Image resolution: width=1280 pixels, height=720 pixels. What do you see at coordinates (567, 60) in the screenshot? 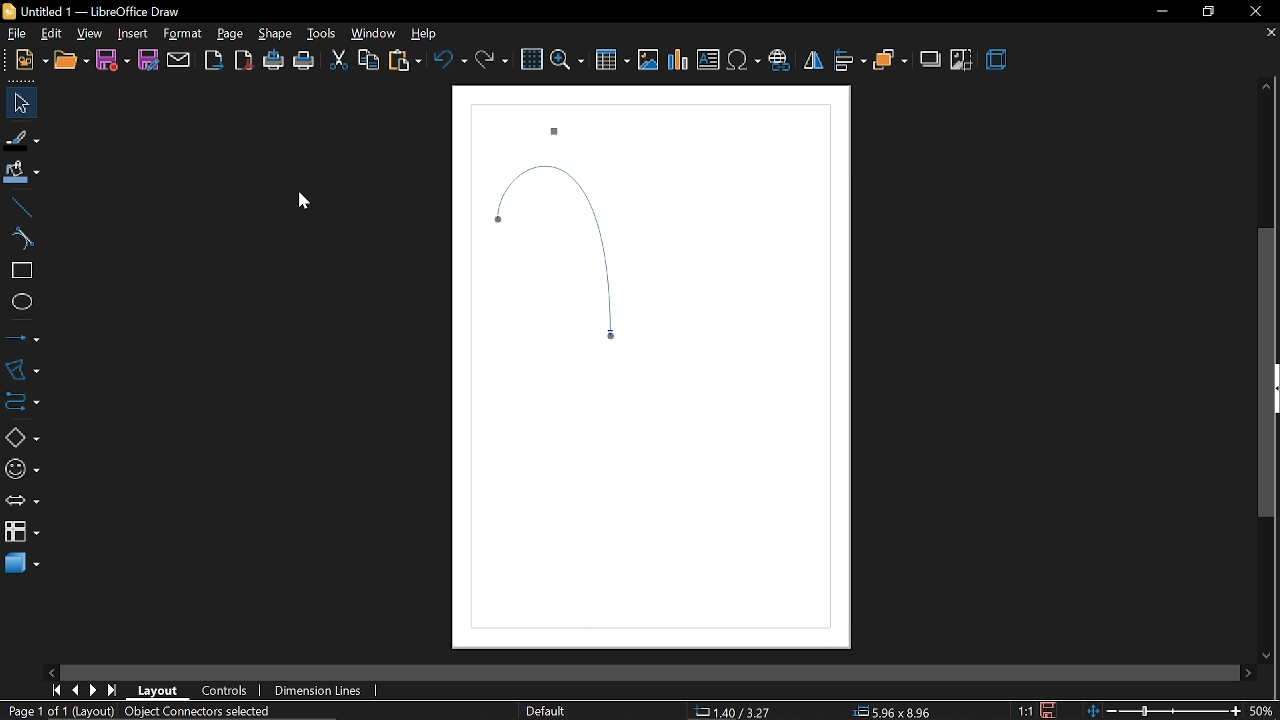
I see `zoom` at bounding box center [567, 60].